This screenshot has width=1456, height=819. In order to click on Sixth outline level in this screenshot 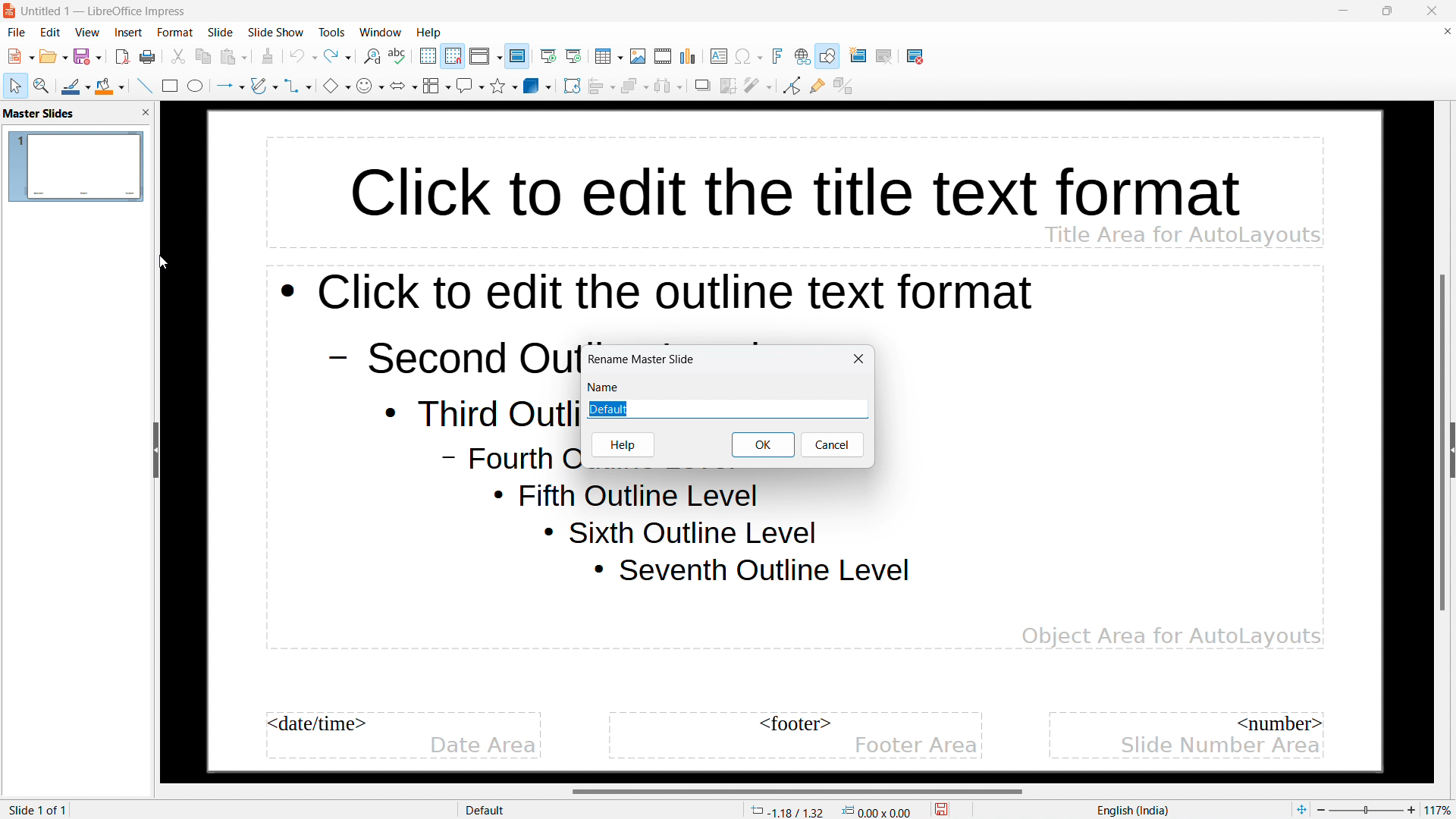, I will do `click(680, 533)`.